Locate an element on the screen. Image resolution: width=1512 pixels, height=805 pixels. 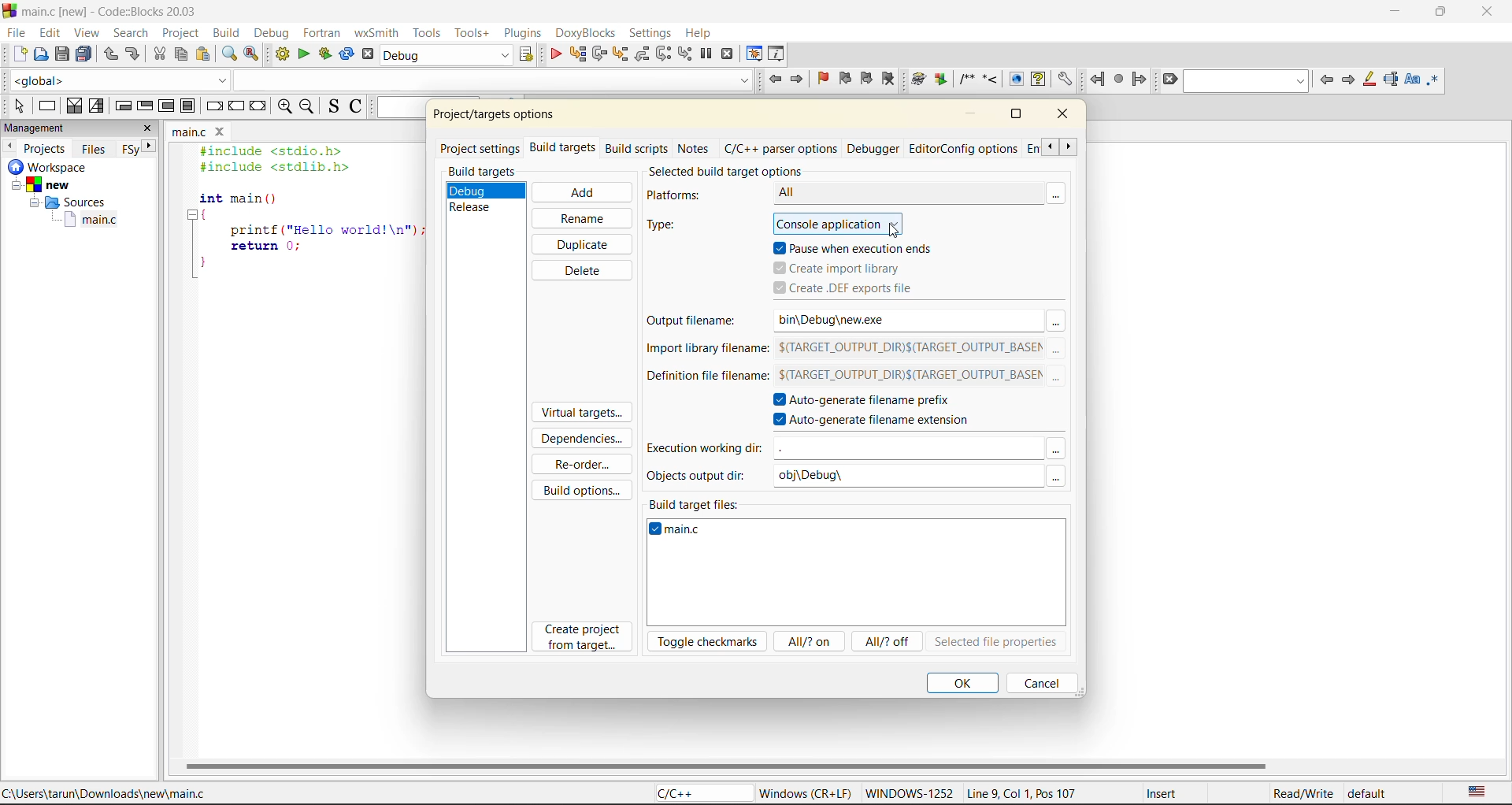
jump forward is located at coordinates (799, 81).